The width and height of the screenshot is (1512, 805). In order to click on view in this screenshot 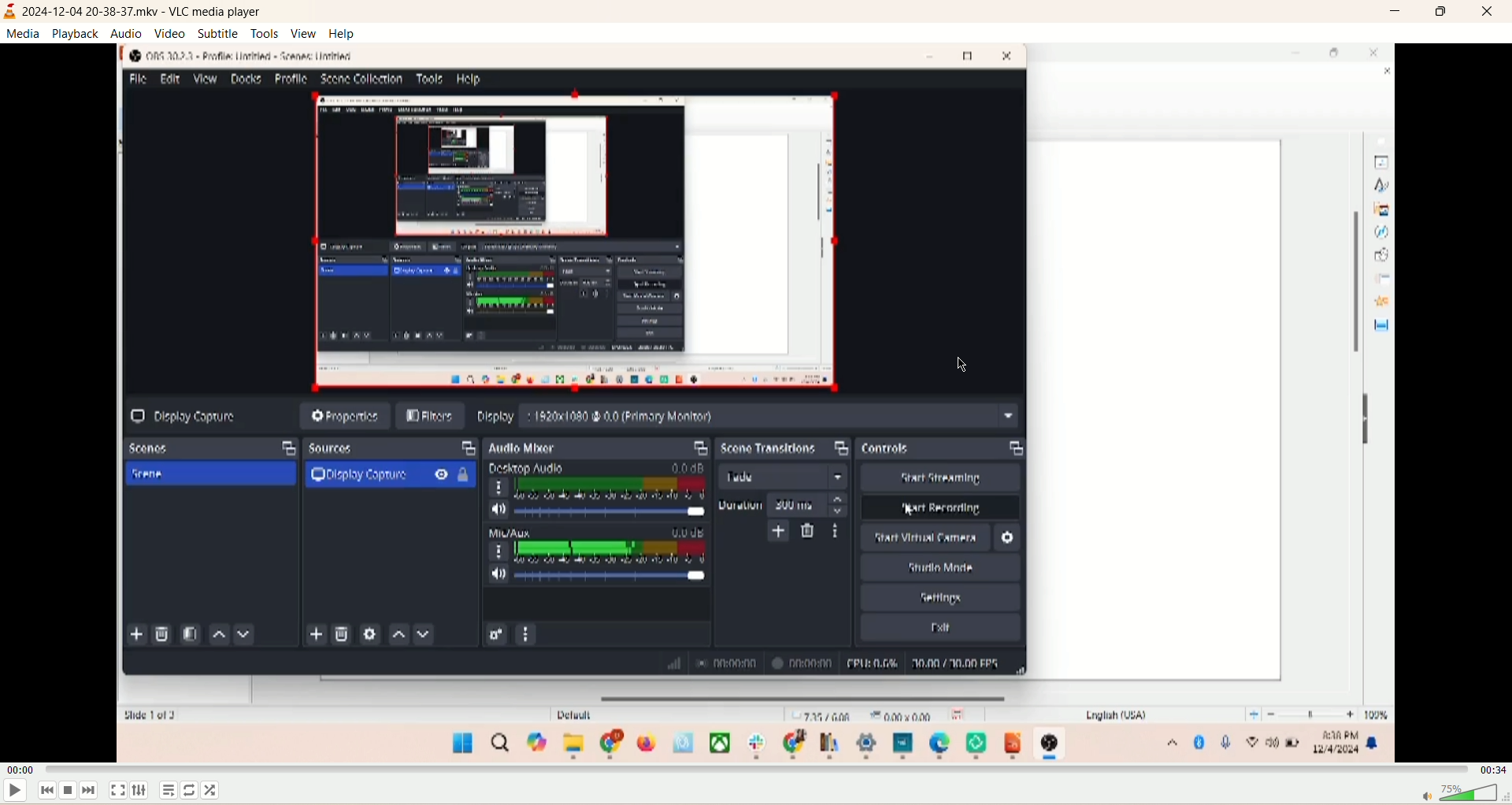, I will do `click(303, 33)`.